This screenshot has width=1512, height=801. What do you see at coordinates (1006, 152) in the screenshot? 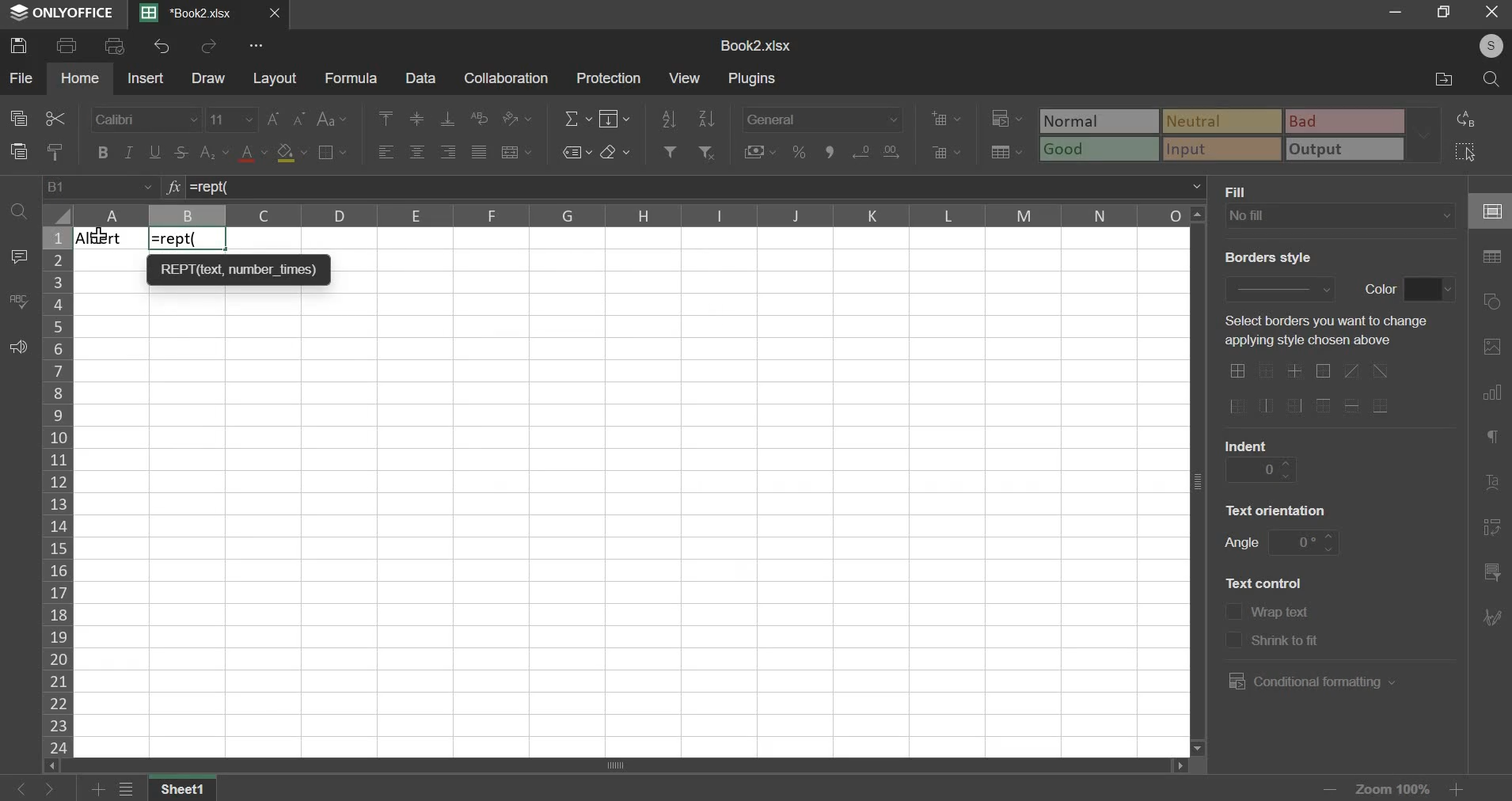
I see `save as table` at bounding box center [1006, 152].